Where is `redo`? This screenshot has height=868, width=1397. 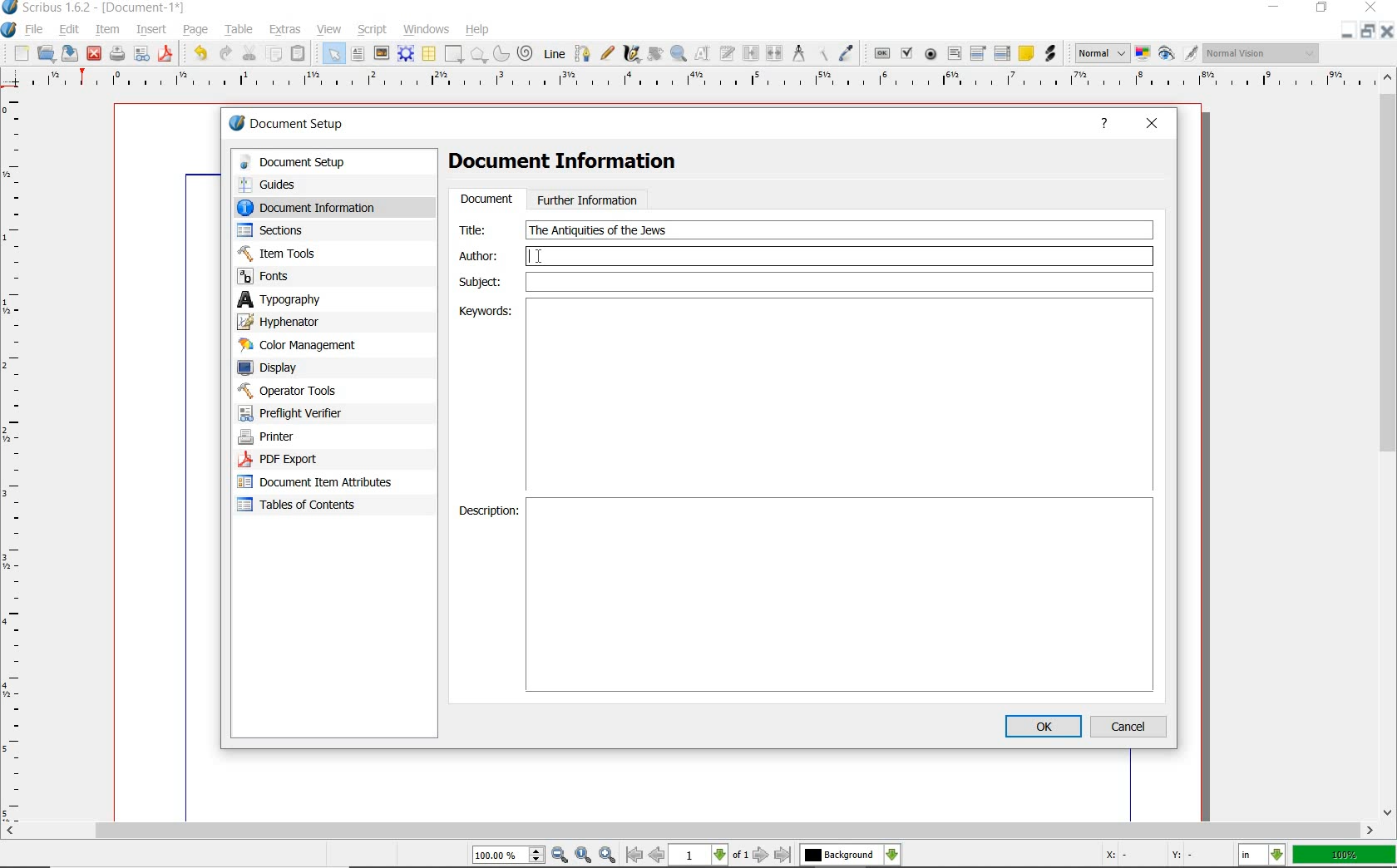
redo is located at coordinates (227, 54).